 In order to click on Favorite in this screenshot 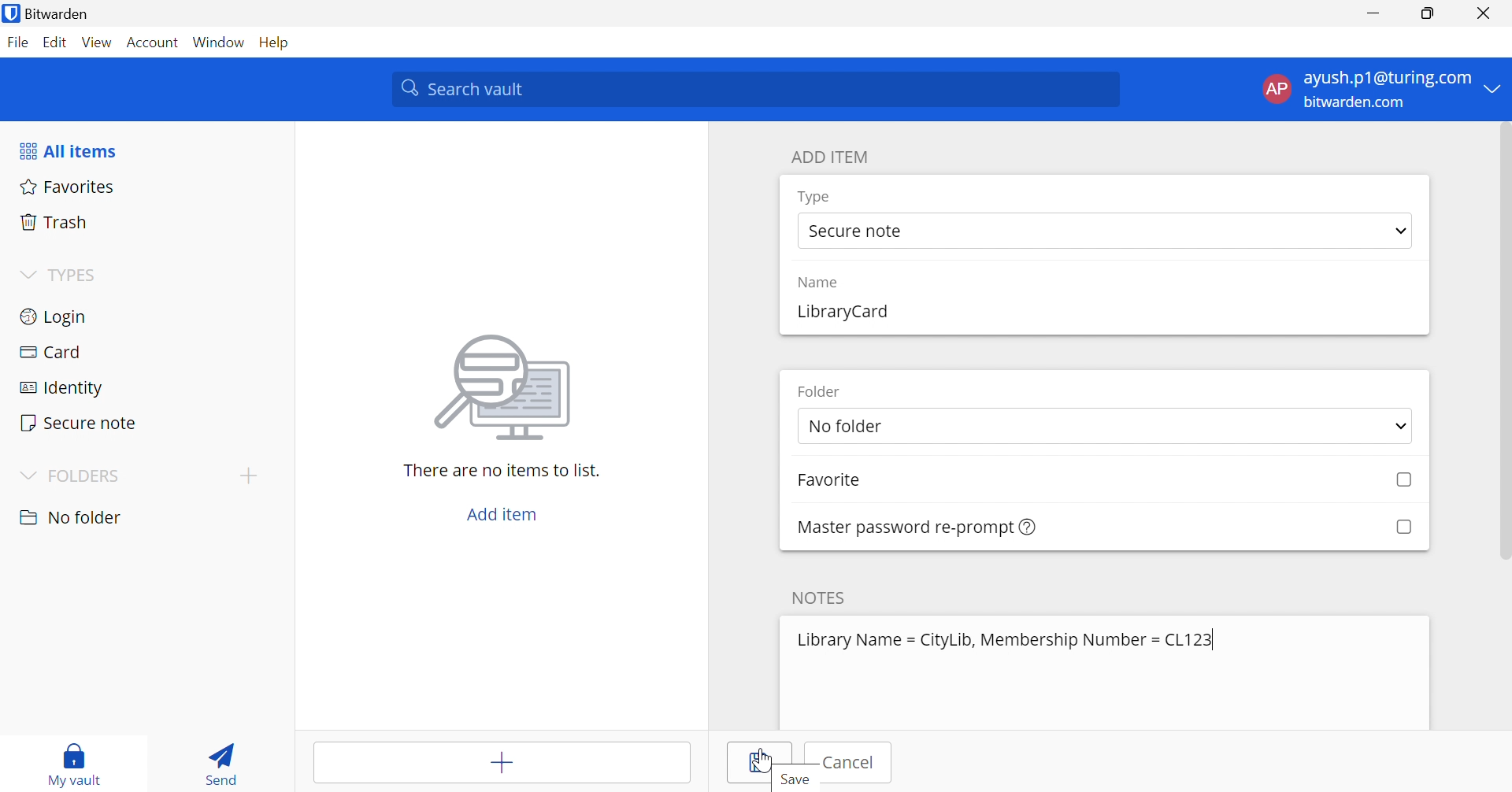, I will do `click(833, 482)`.